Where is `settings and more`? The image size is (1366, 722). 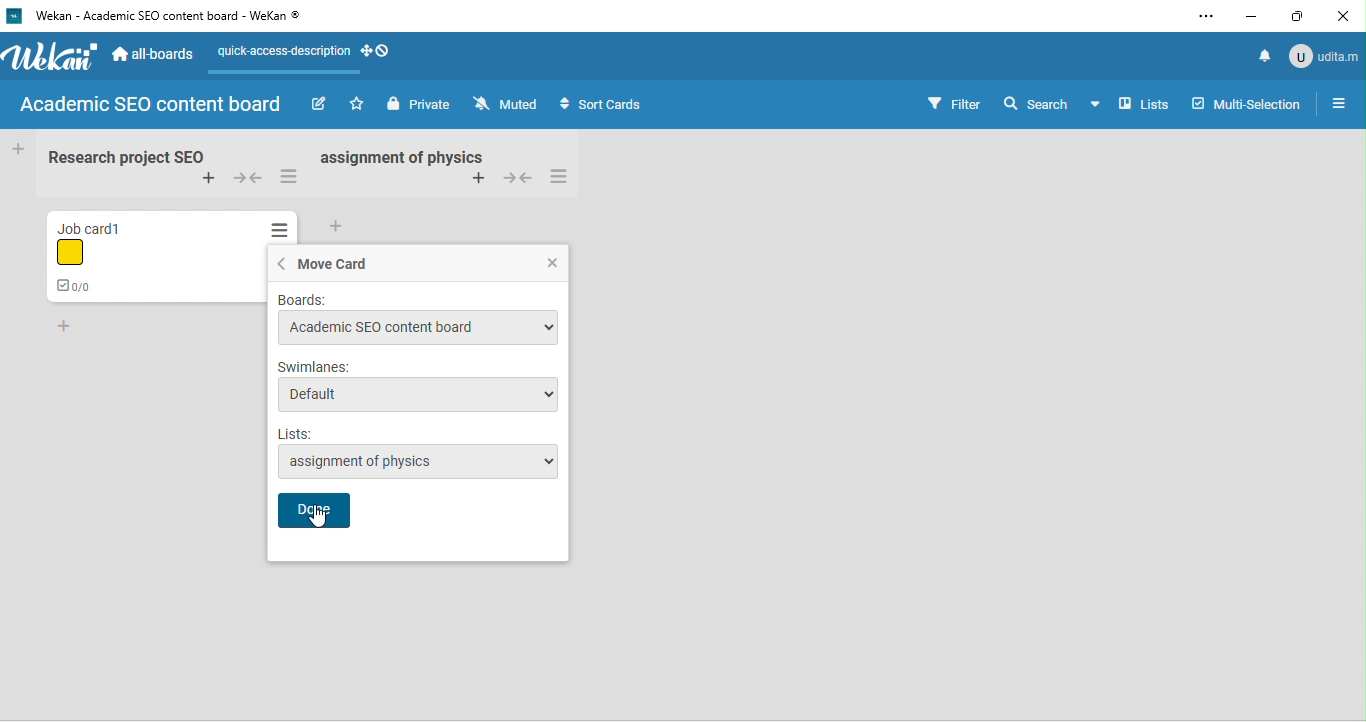
settings and more is located at coordinates (1205, 16).